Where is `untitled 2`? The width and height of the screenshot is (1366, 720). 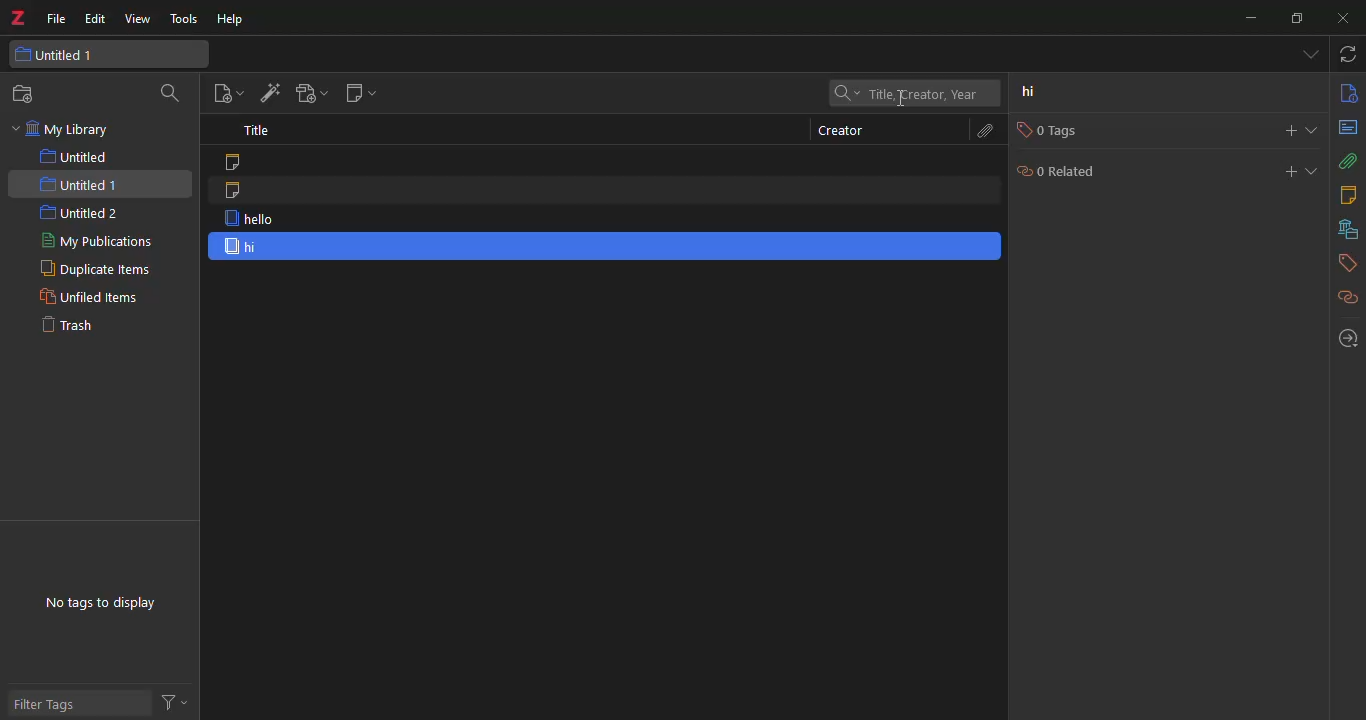
untitled 2 is located at coordinates (82, 212).